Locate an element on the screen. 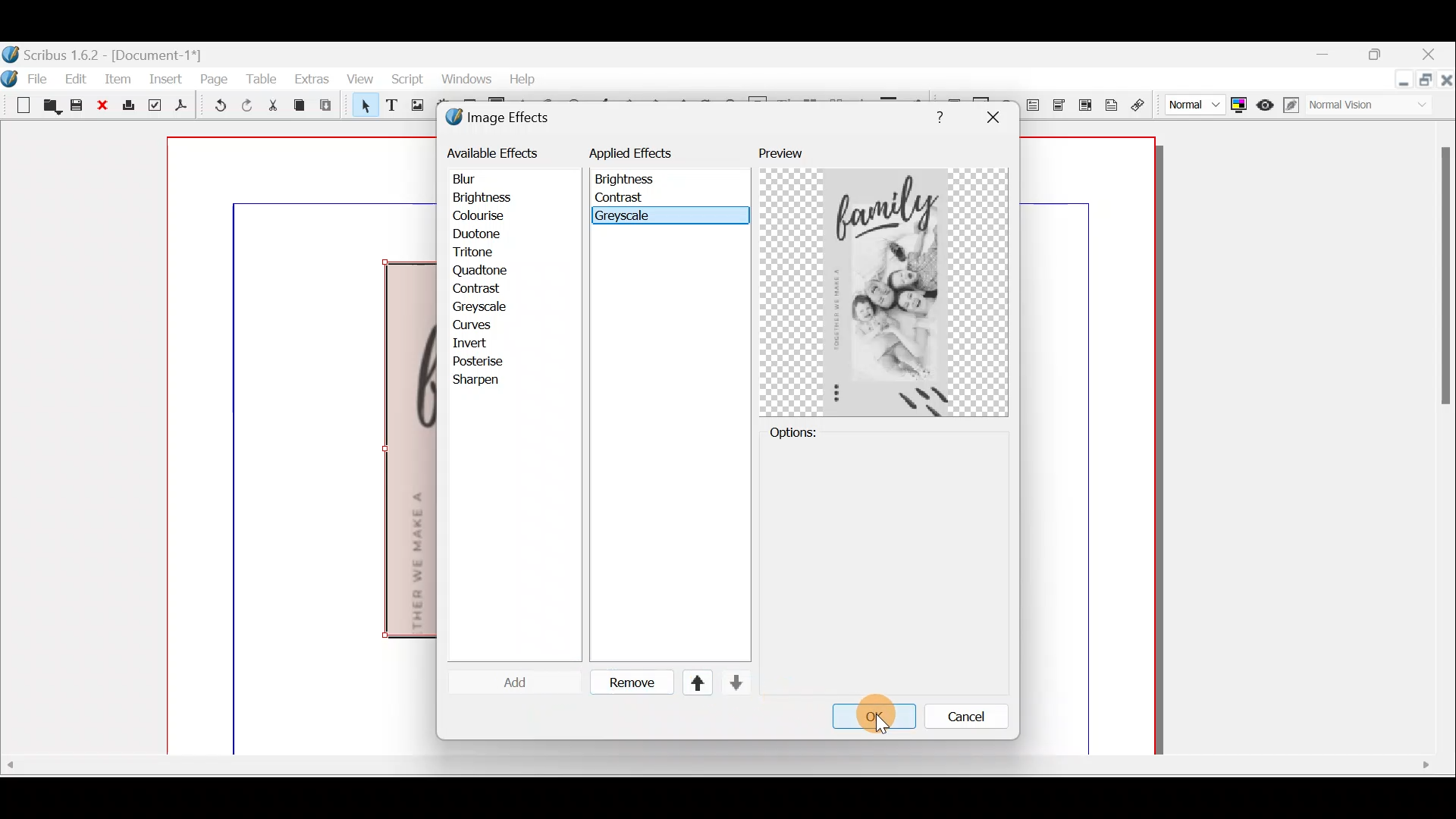 This screenshot has height=819, width=1456. Cut is located at coordinates (274, 106).